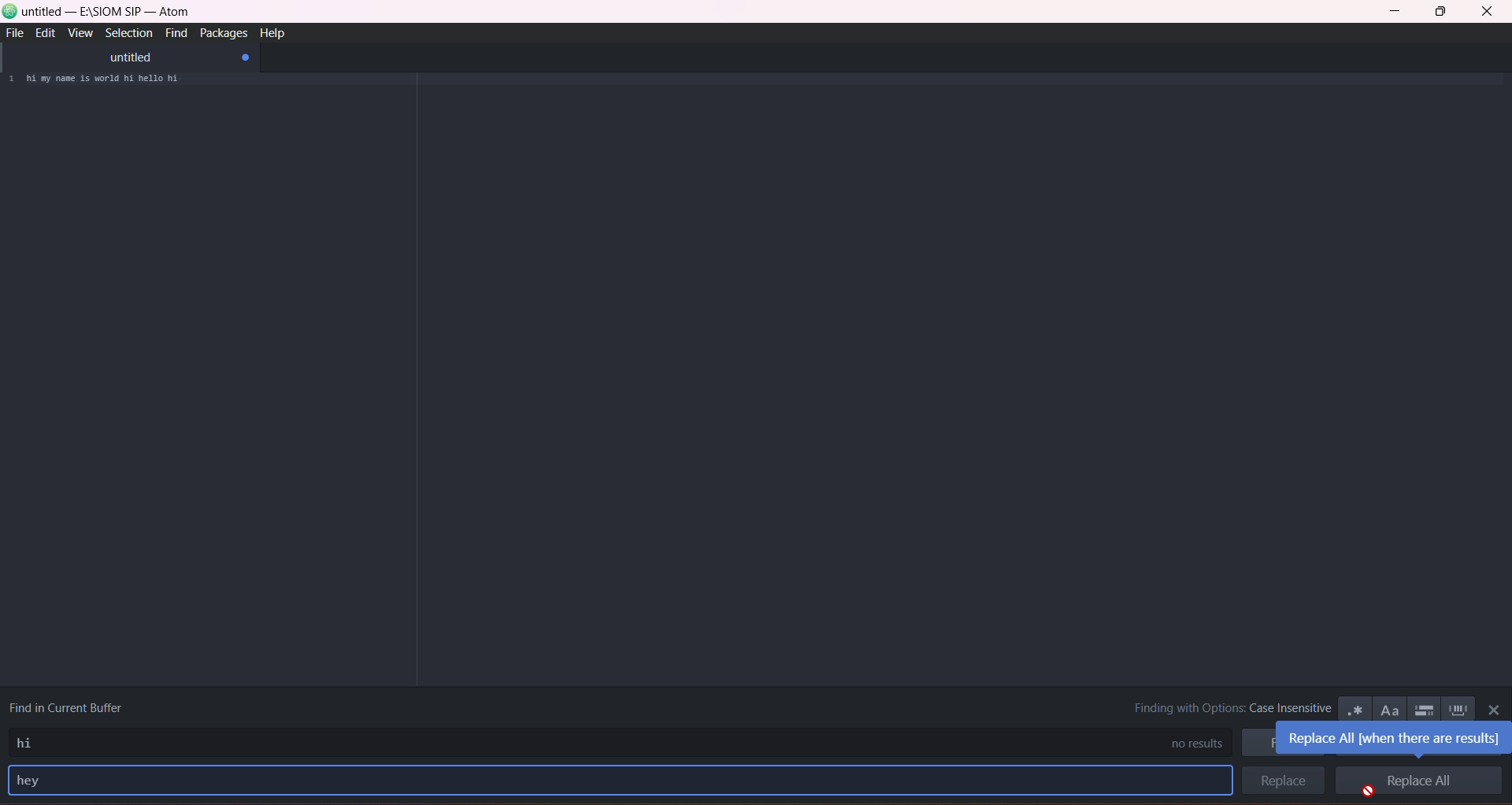 The width and height of the screenshot is (1512, 805). What do you see at coordinates (274, 32) in the screenshot?
I see `help` at bounding box center [274, 32].